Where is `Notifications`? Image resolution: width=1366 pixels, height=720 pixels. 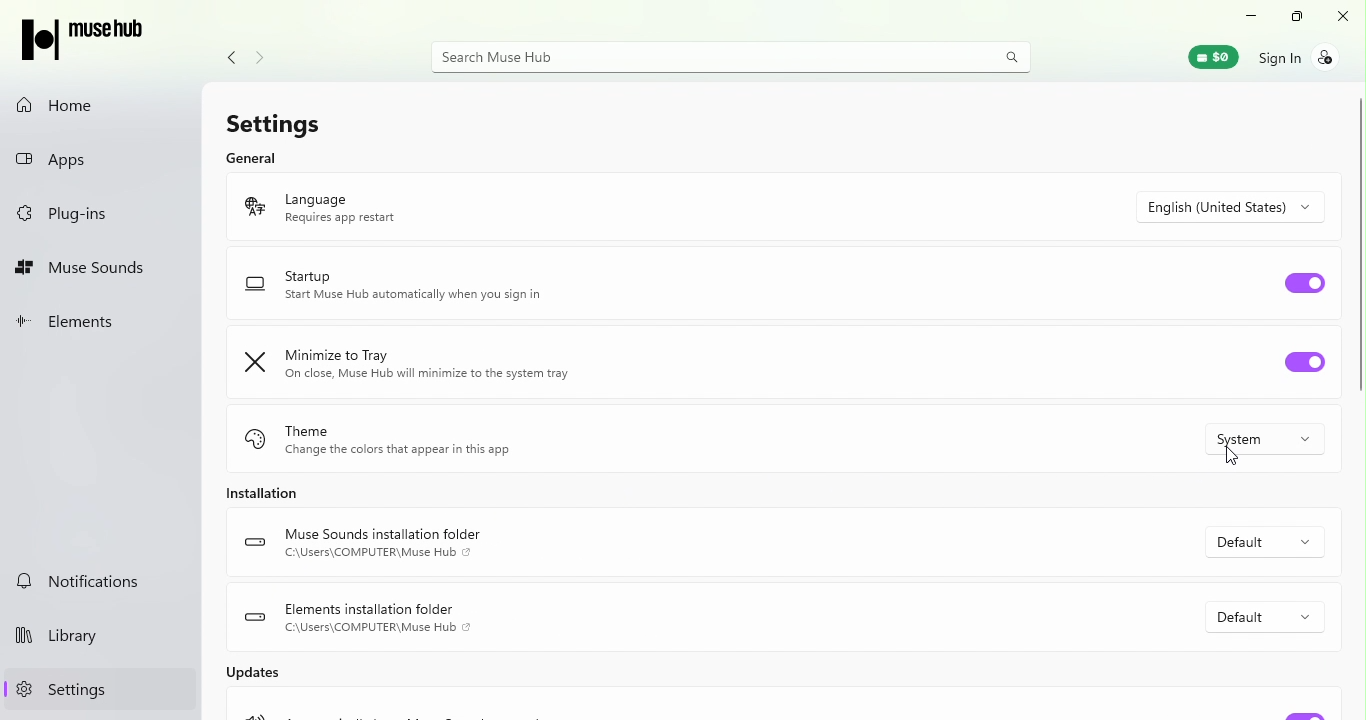
Notifications is located at coordinates (82, 578).